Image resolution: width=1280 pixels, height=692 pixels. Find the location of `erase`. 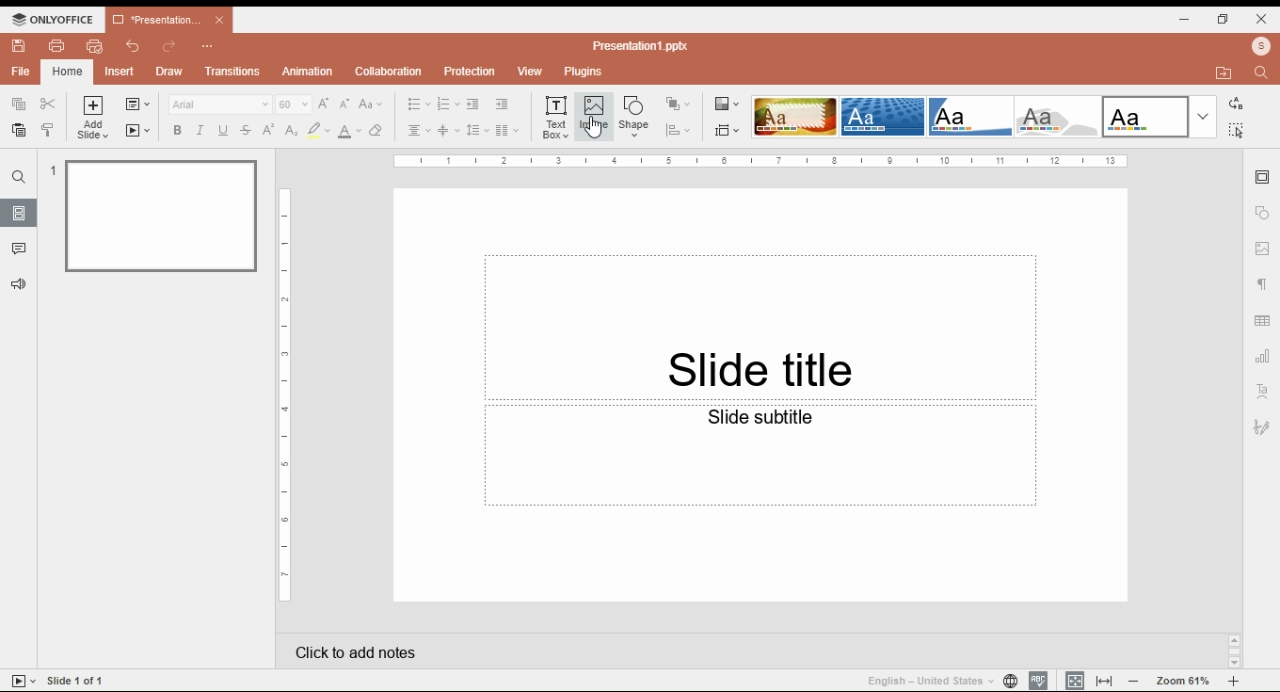

erase is located at coordinates (378, 131).